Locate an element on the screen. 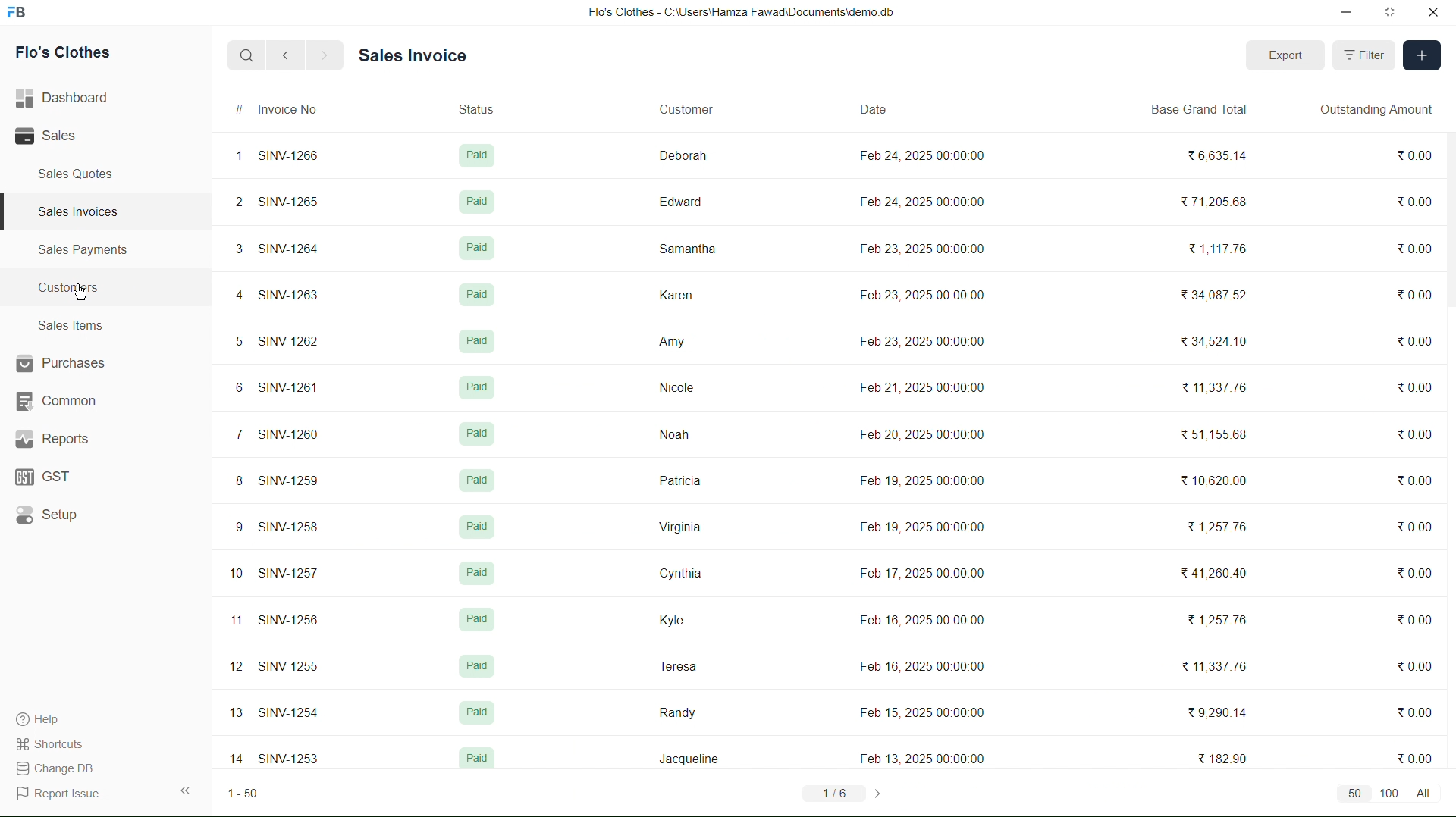 Image resolution: width=1456 pixels, height=817 pixels. Dashboard is located at coordinates (67, 95).